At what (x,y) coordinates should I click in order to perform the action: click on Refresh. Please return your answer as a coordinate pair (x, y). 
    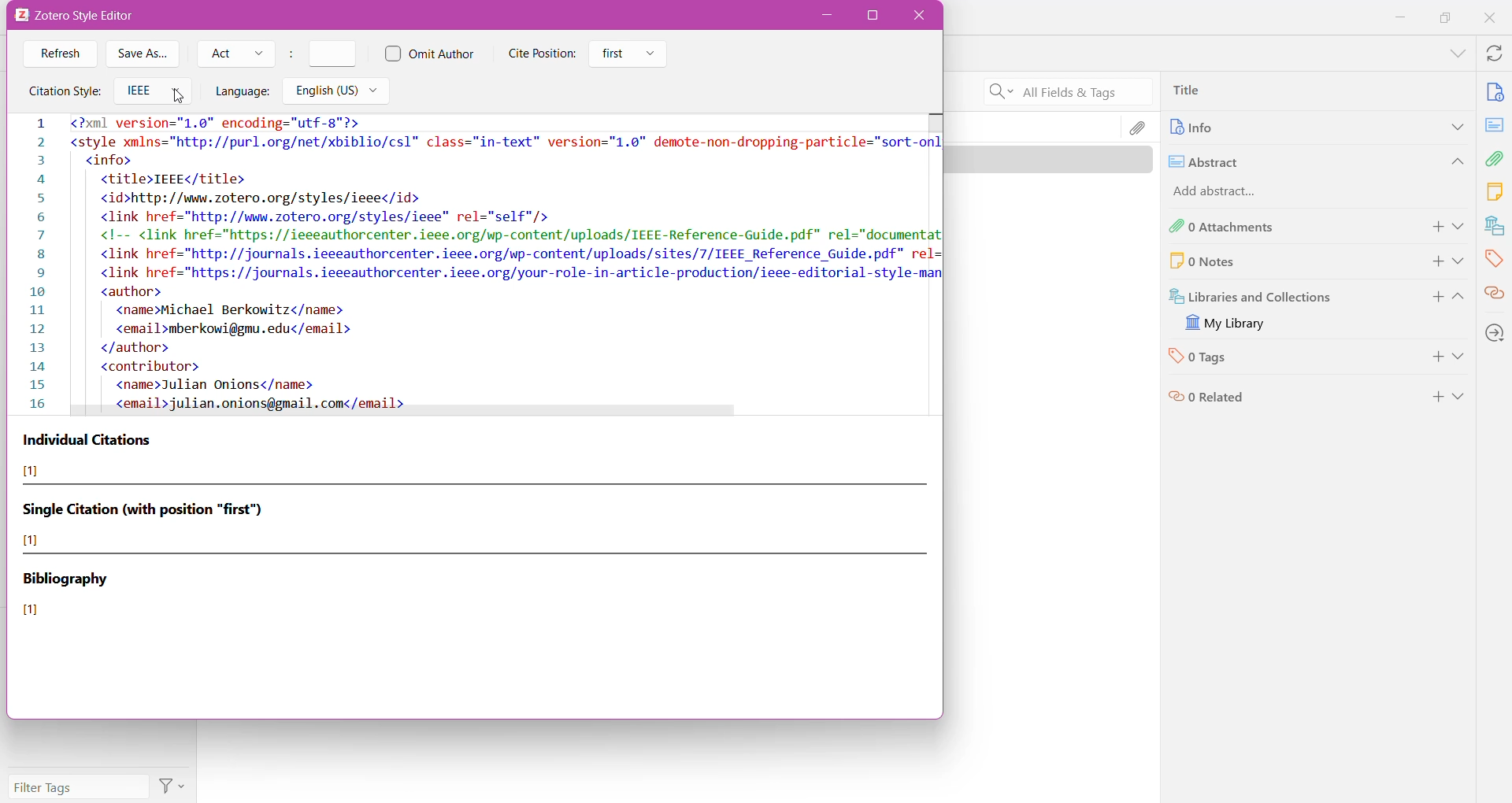
    Looking at the image, I should click on (59, 55).